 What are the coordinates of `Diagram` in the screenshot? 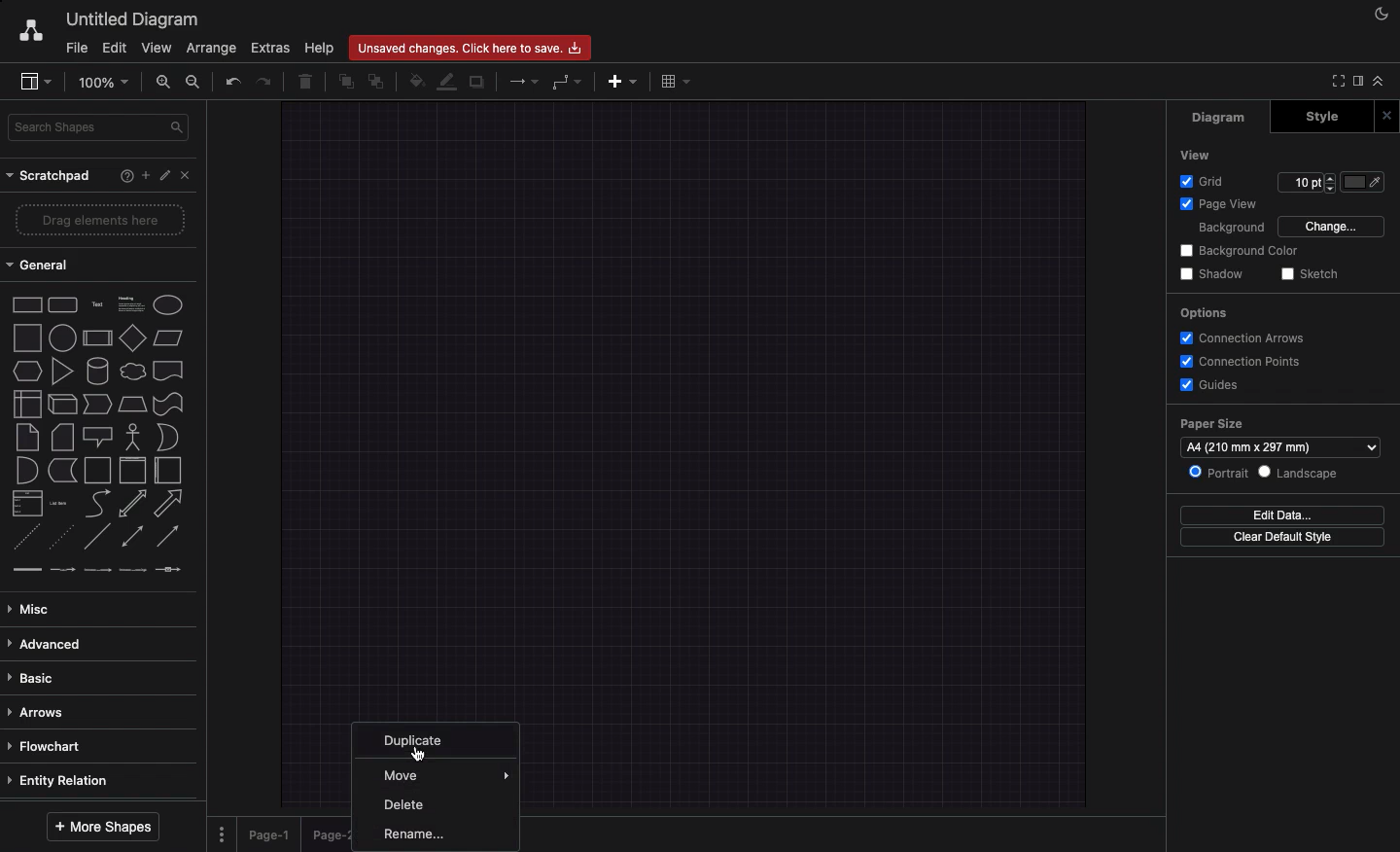 It's located at (1220, 120).